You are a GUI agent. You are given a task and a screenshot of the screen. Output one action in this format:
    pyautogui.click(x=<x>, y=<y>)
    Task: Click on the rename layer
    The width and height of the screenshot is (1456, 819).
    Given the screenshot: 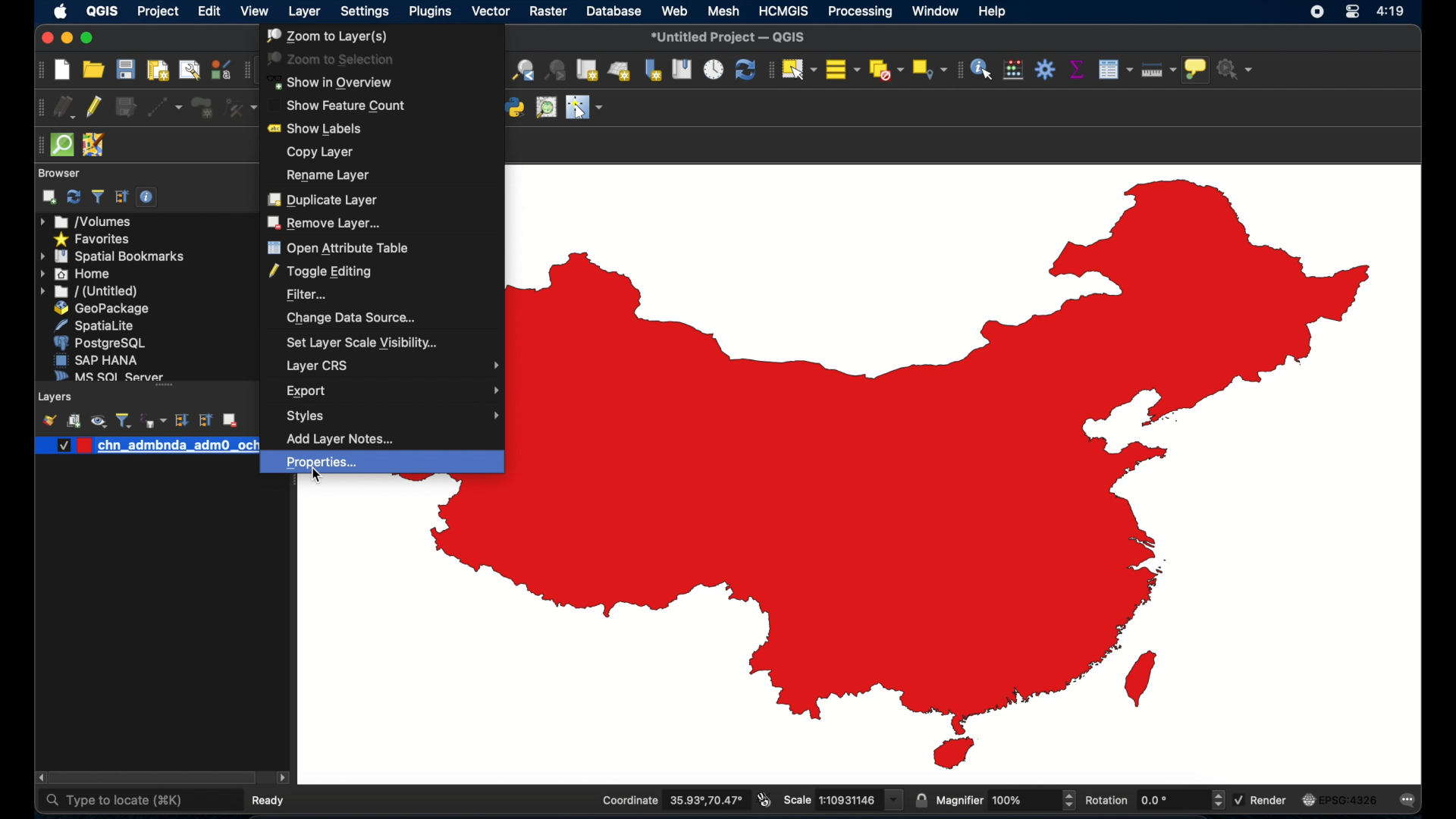 What is the action you would take?
    pyautogui.click(x=329, y=174)
    